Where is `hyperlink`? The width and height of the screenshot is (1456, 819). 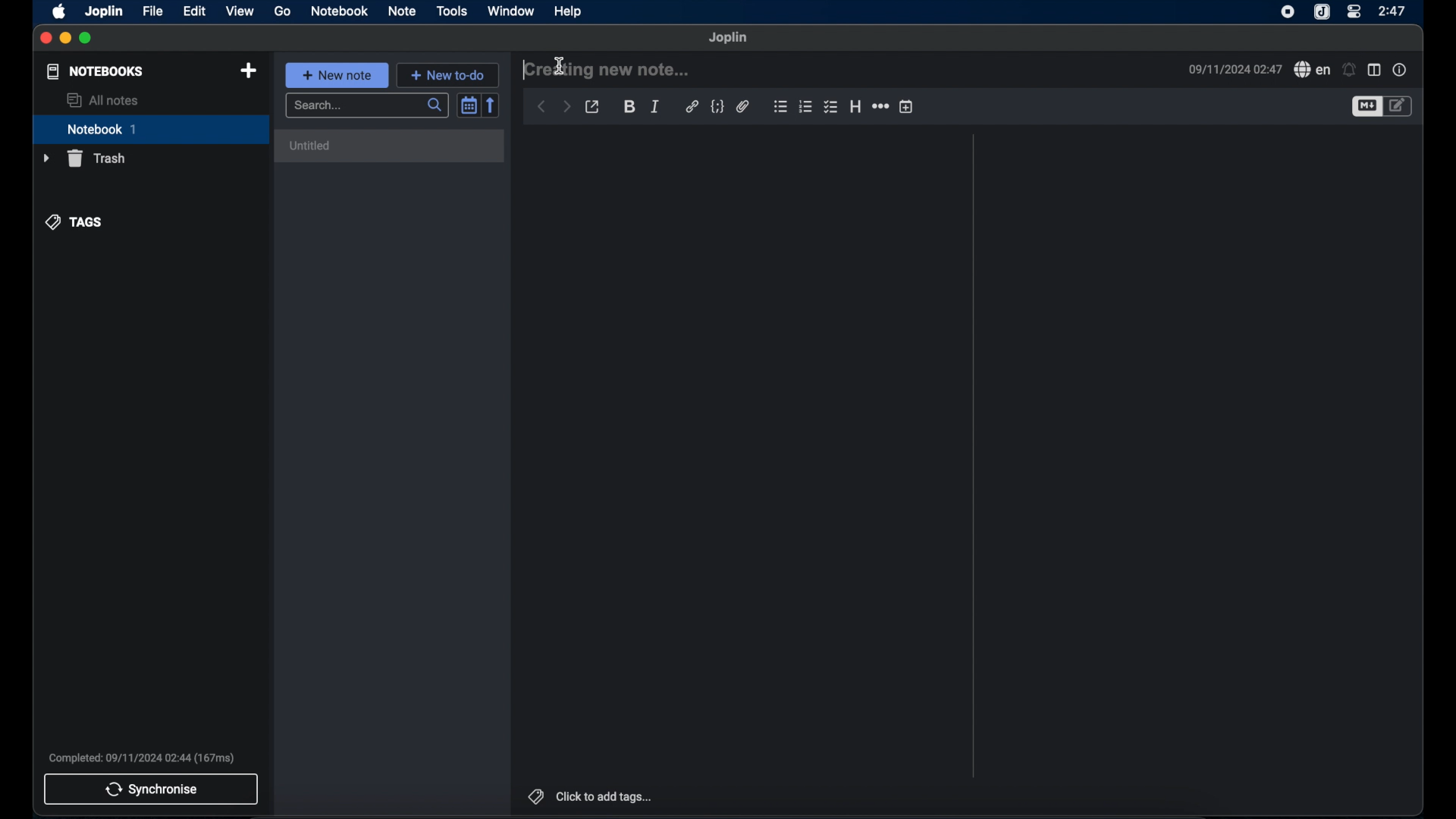
hyperlink is located at coordinates (692, 106).